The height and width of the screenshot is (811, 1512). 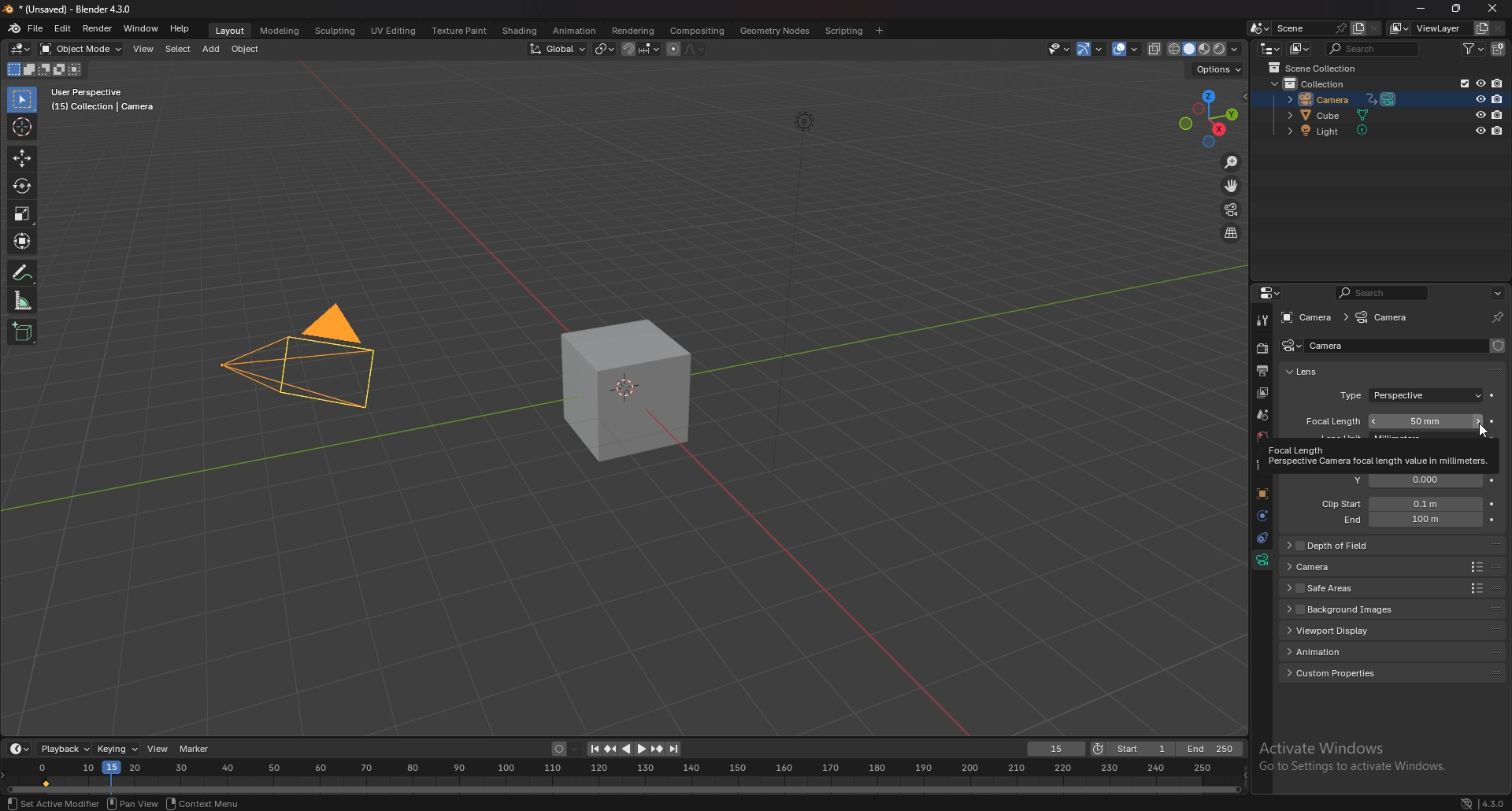 What do you see at coordinates (46, 804) in the screenshot?
I see `` at bounding box center [46, 804].